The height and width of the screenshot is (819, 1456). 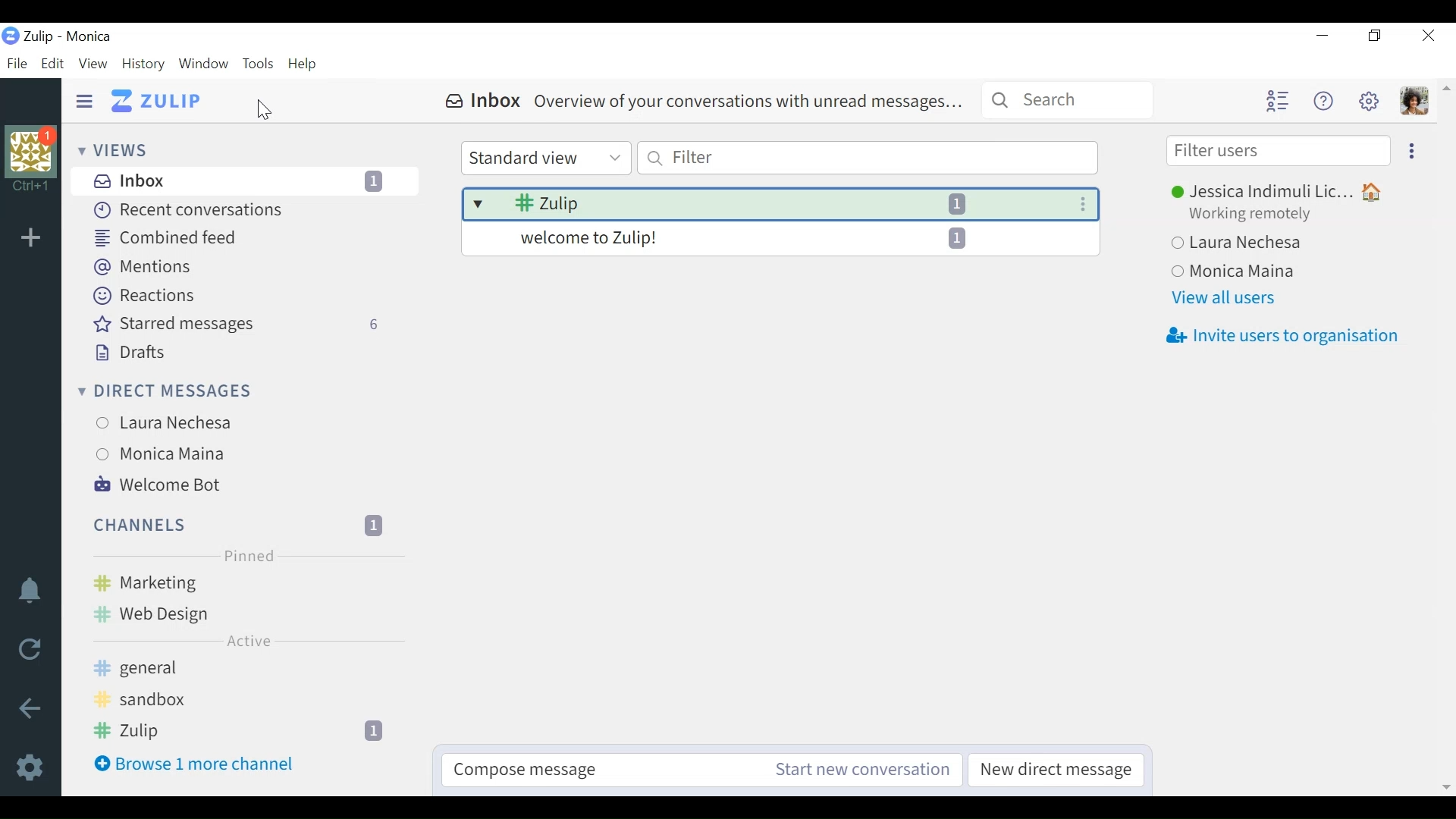 What do you see at coordinates (33, 710) in the screenshot?
I see `Back` at bounding box center [33, 710].